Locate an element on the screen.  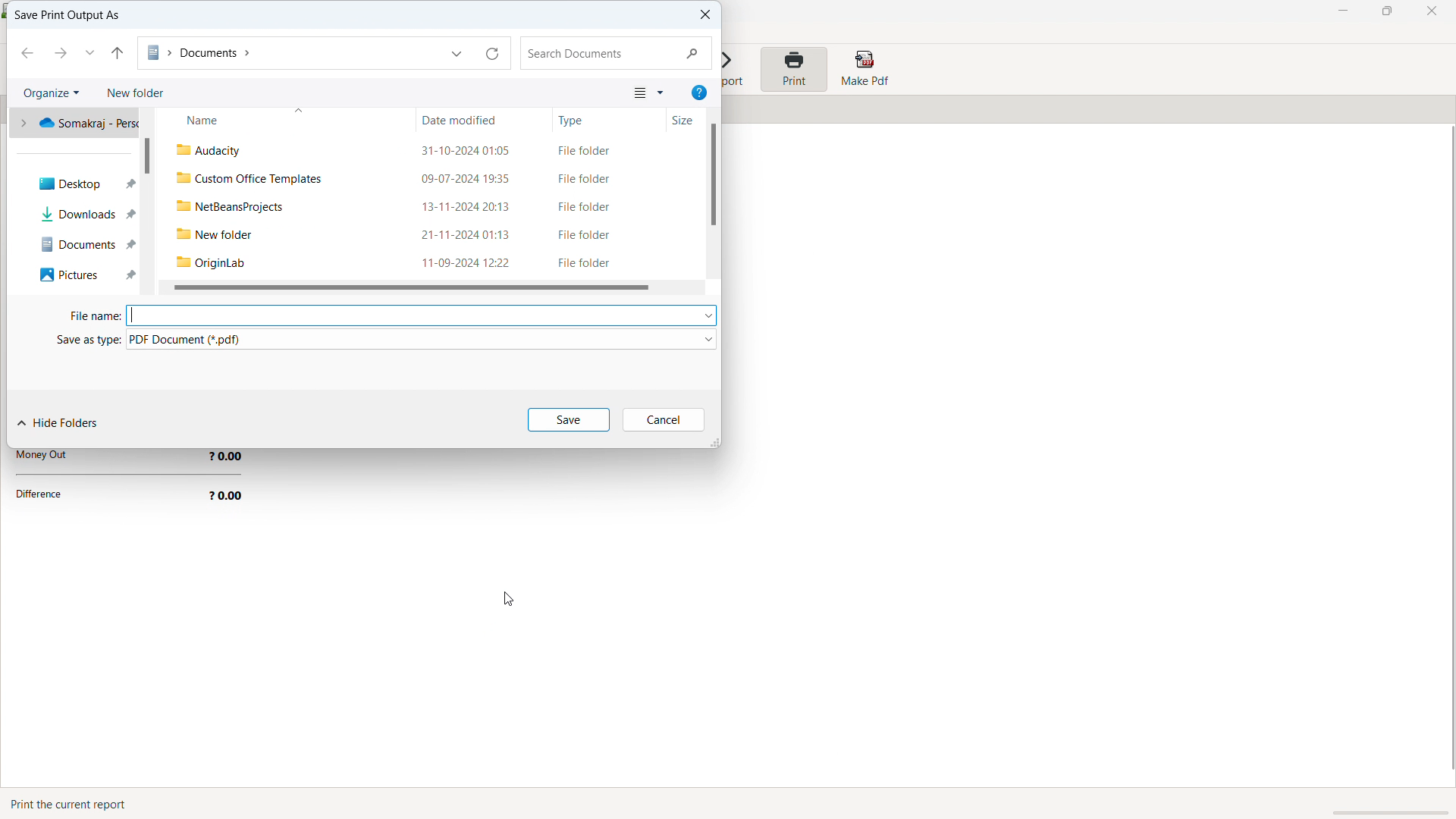
PA pictures » is located at coordinates (81, 275).